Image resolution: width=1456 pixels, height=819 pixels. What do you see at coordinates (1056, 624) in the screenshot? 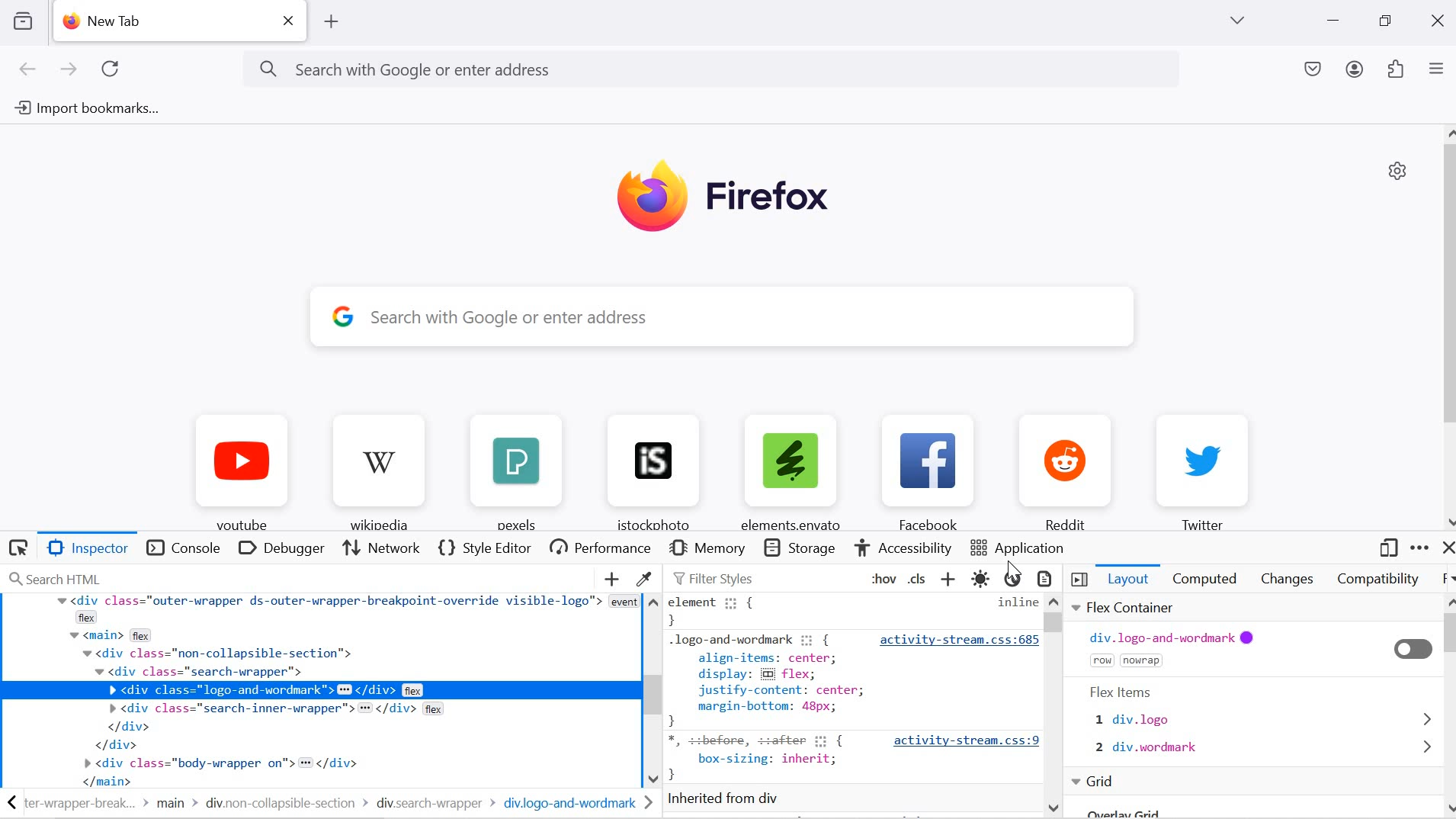
I see `vertical scrollbar` at bounding box center [1056, 624].